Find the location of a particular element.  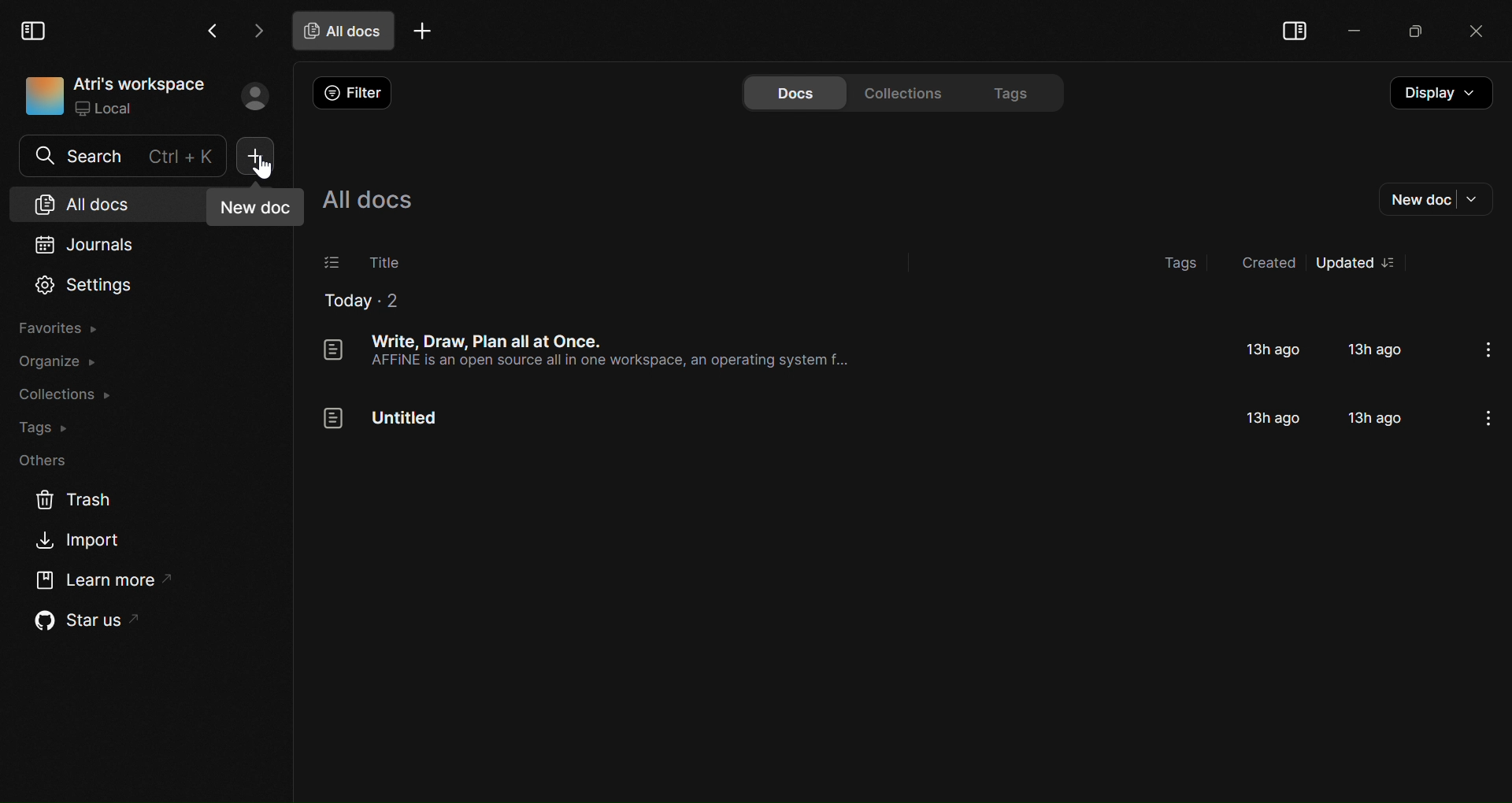

Tags is located at coordinates (1182, 263).